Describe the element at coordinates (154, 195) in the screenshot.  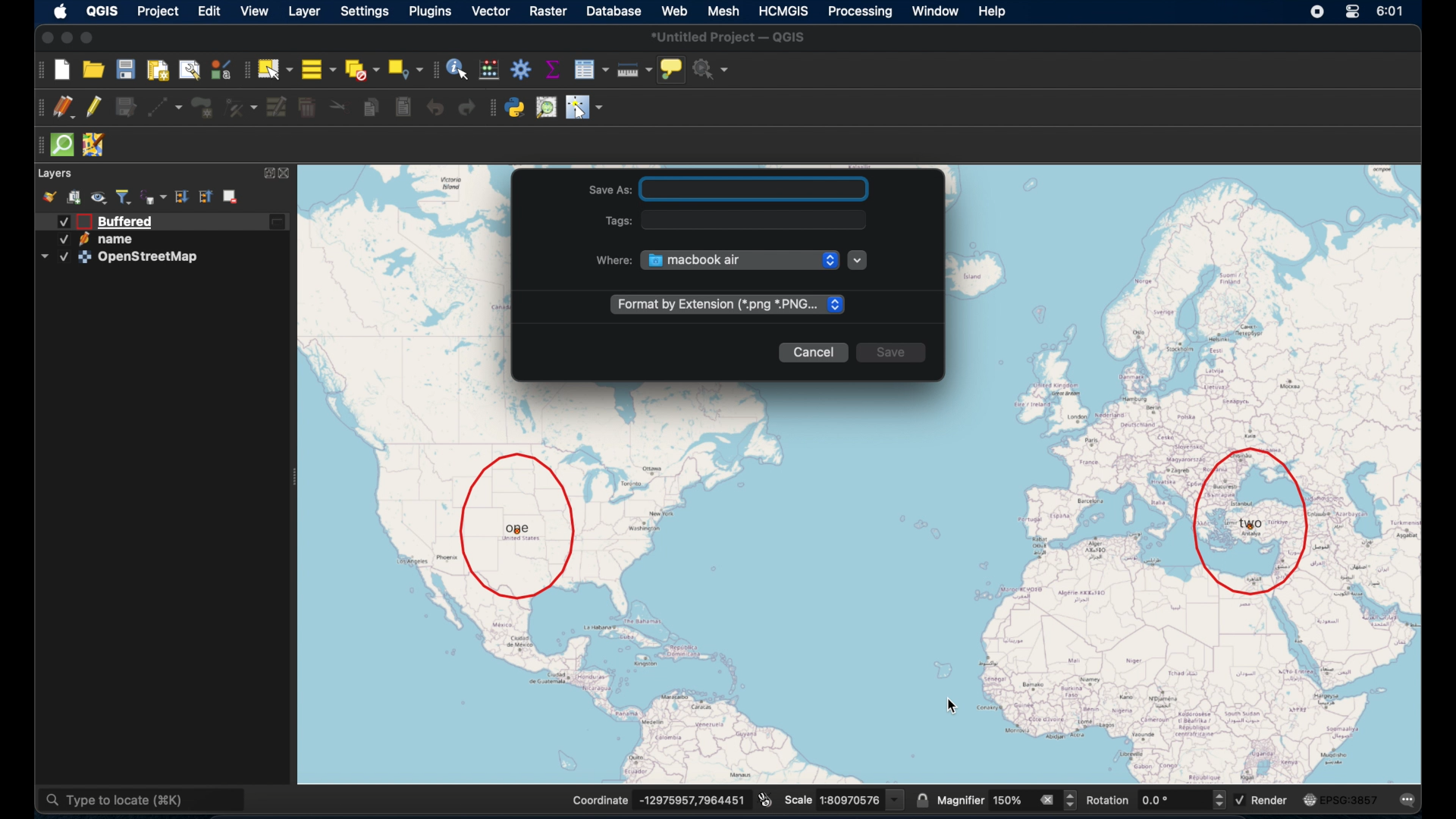
I see `filter legend by expression` at that location.